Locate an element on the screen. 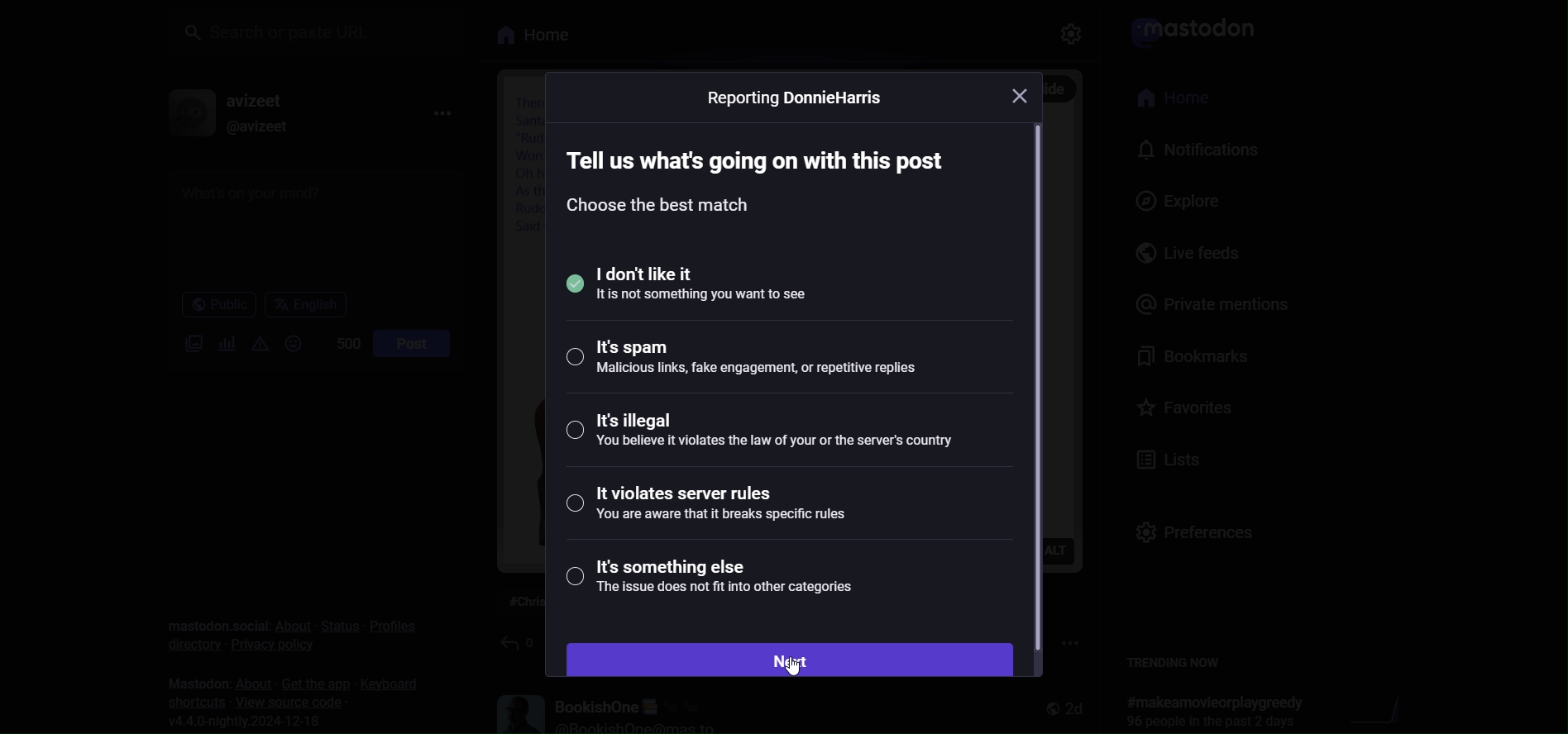 This screenshot has width=1568, height=734. Reporting DonnieHarris is located at coordinates (800, 100).